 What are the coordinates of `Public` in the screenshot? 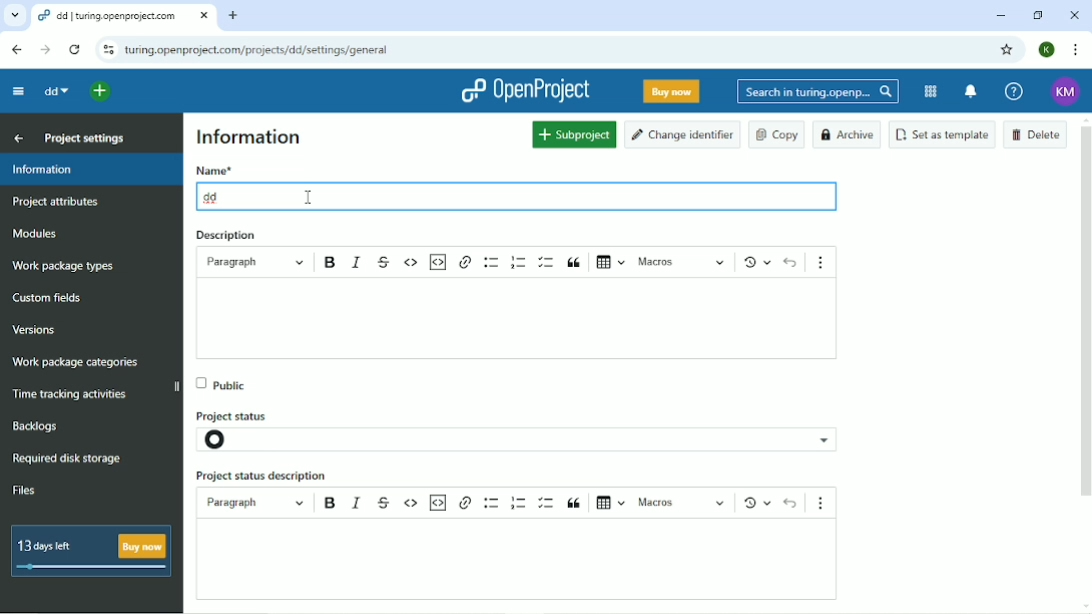 It's located at (226, 382).